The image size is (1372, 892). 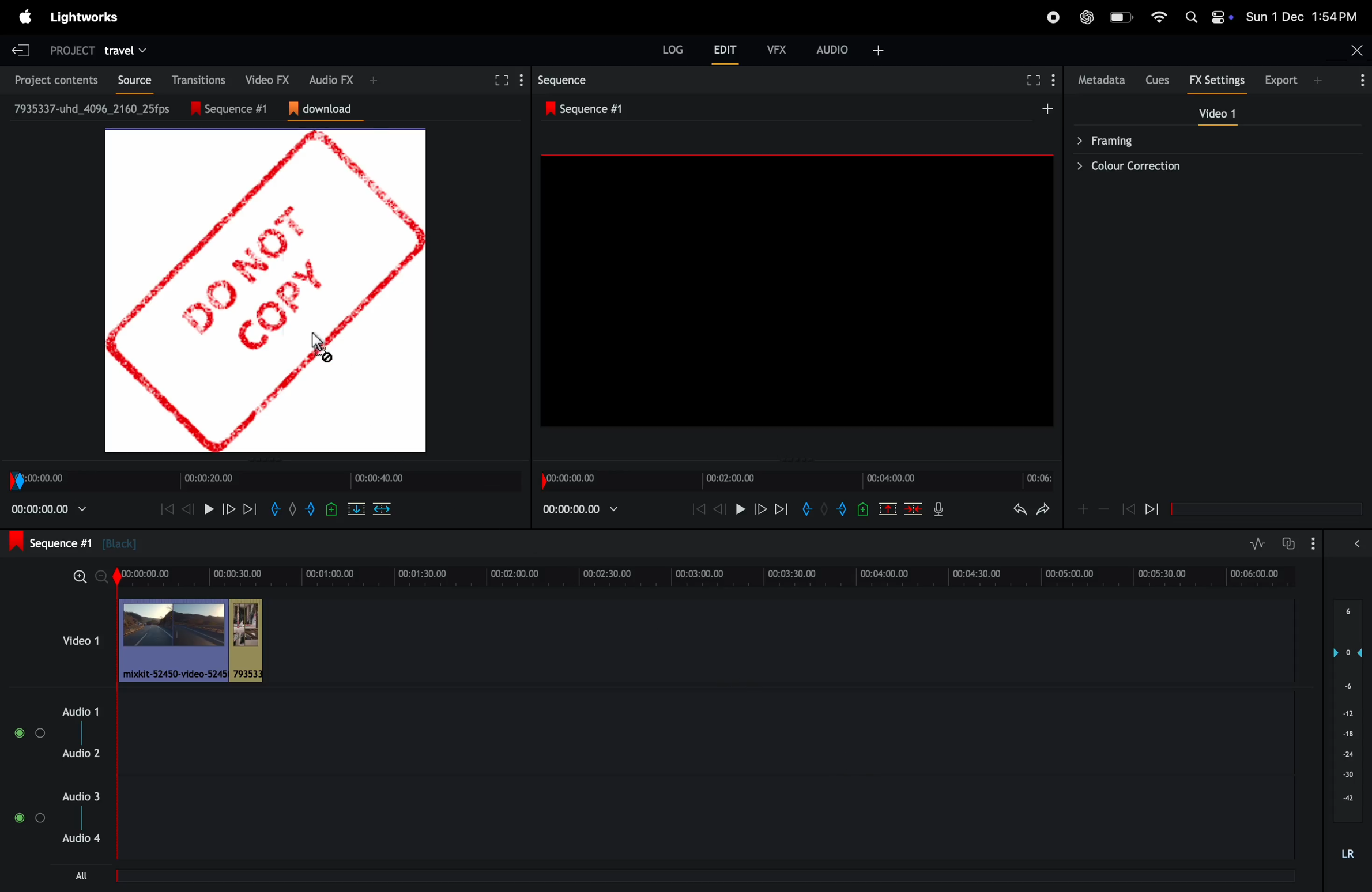 What do you see at coordinates (1047, 108) in the screenshot?
I see `Add` at bounding box center [1047, 108].